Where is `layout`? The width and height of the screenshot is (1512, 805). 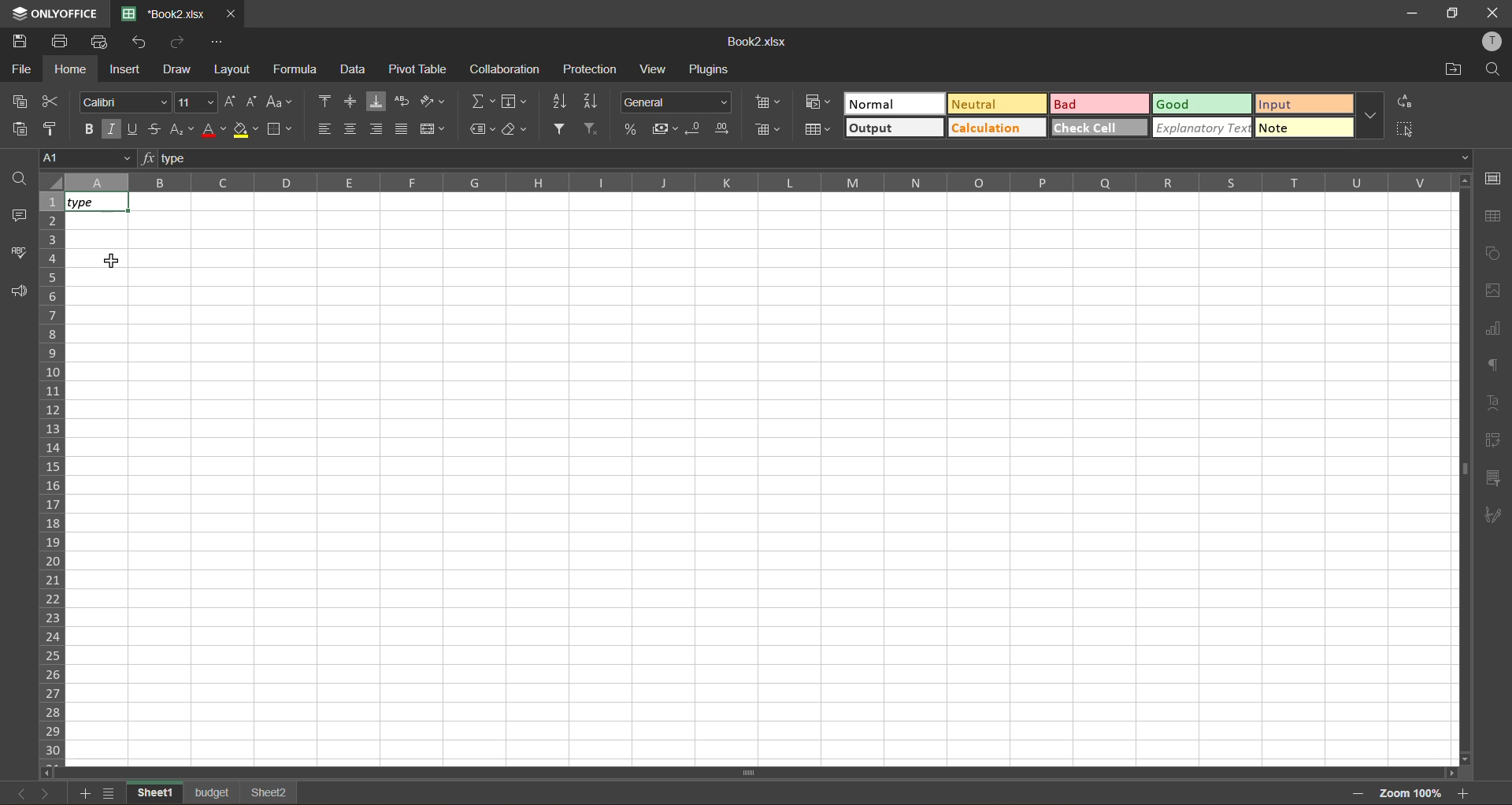 layout is located at coordinates (234, 72).